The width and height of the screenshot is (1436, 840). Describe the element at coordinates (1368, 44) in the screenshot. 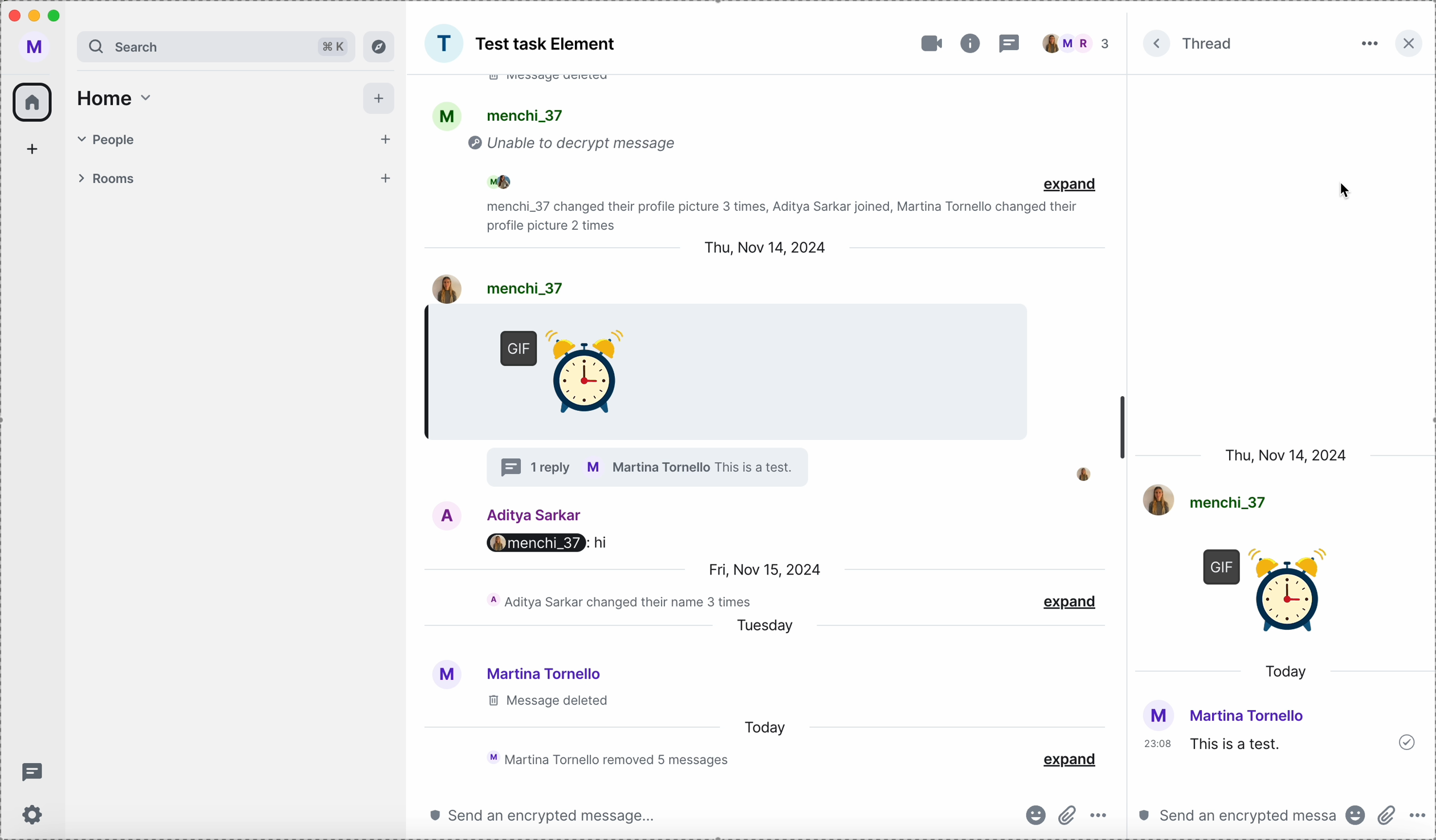

I see `more options` at that location.